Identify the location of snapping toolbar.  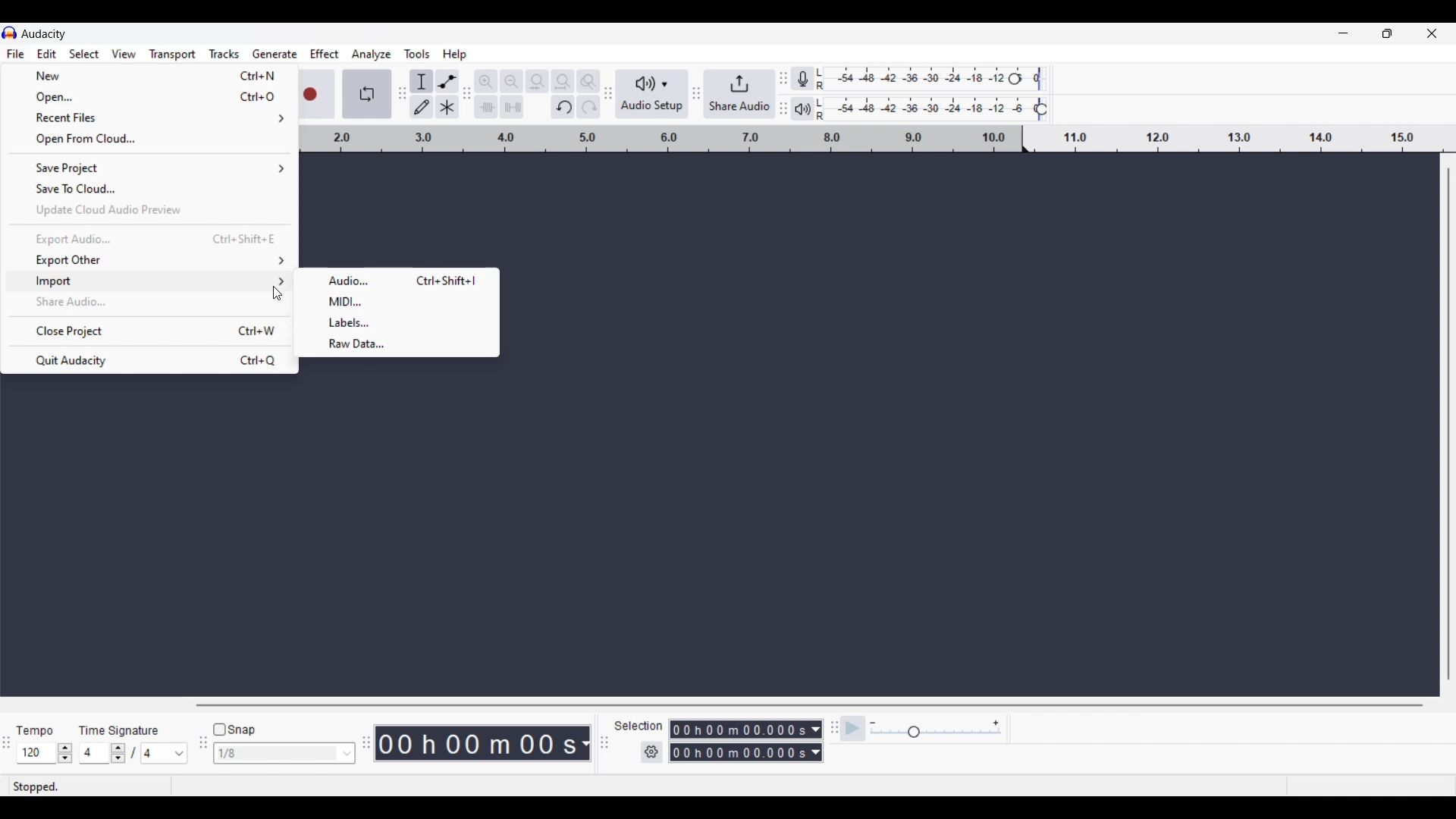
(200, 752).